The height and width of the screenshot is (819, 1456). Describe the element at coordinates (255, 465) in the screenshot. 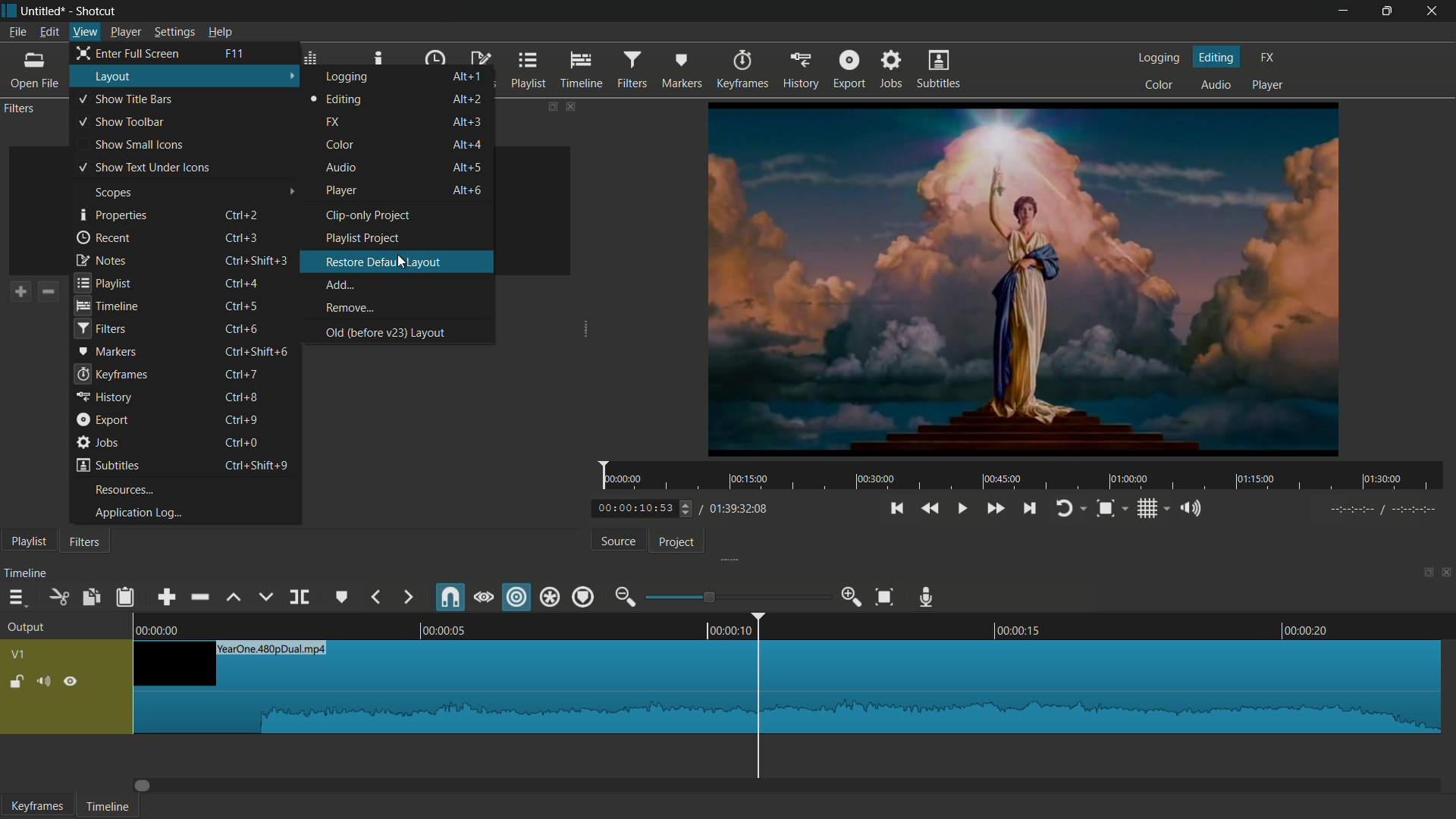

I see `keyboard shortcut` at that location.